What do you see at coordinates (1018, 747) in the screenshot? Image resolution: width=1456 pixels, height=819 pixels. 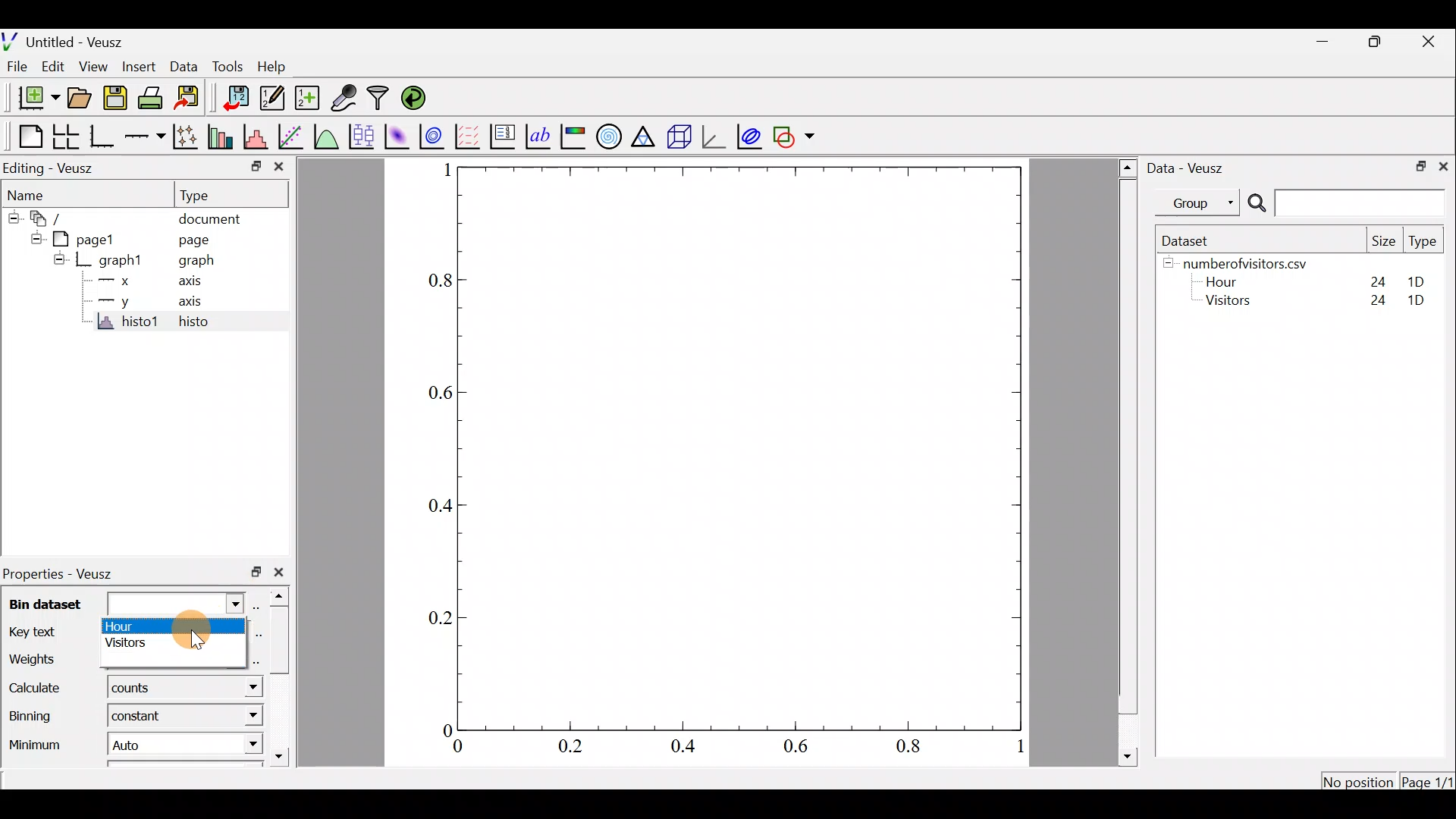 I see `1` at bounding box center [1018, 747].